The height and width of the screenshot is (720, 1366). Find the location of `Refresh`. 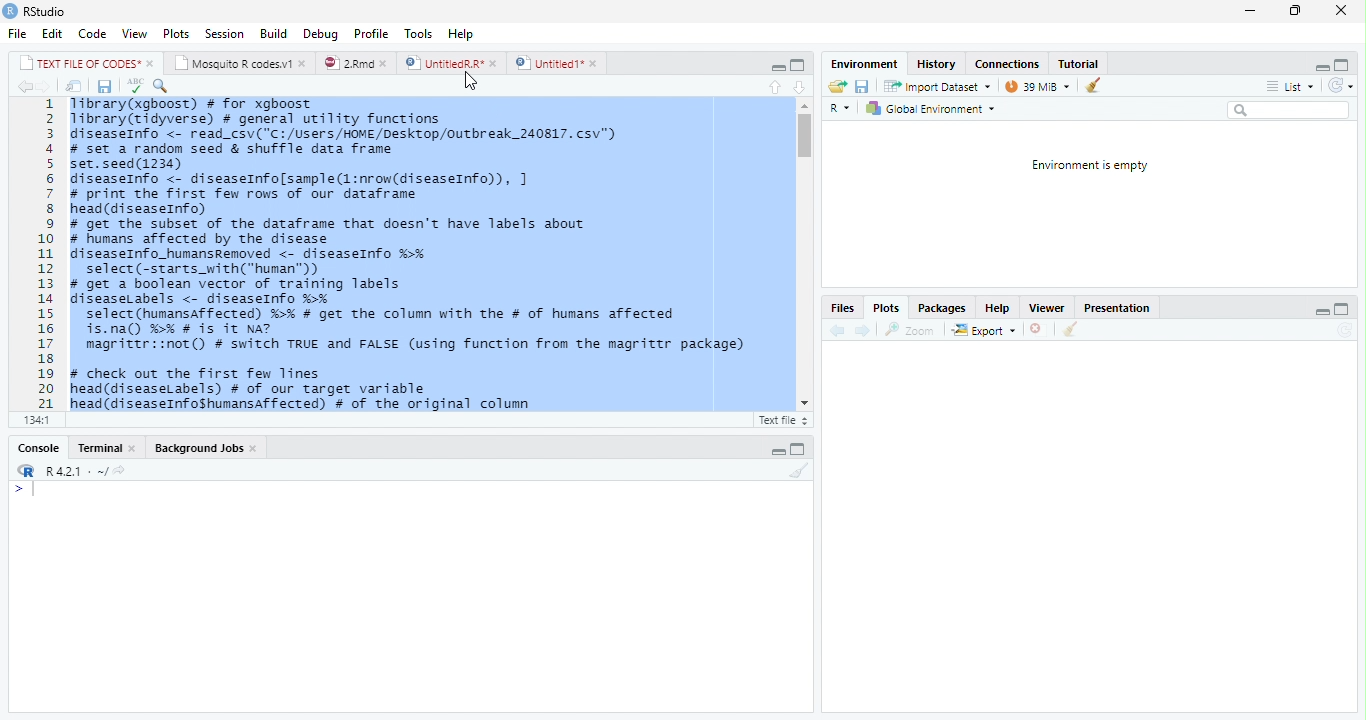

Refresh is located at coordinates (1340, 84).